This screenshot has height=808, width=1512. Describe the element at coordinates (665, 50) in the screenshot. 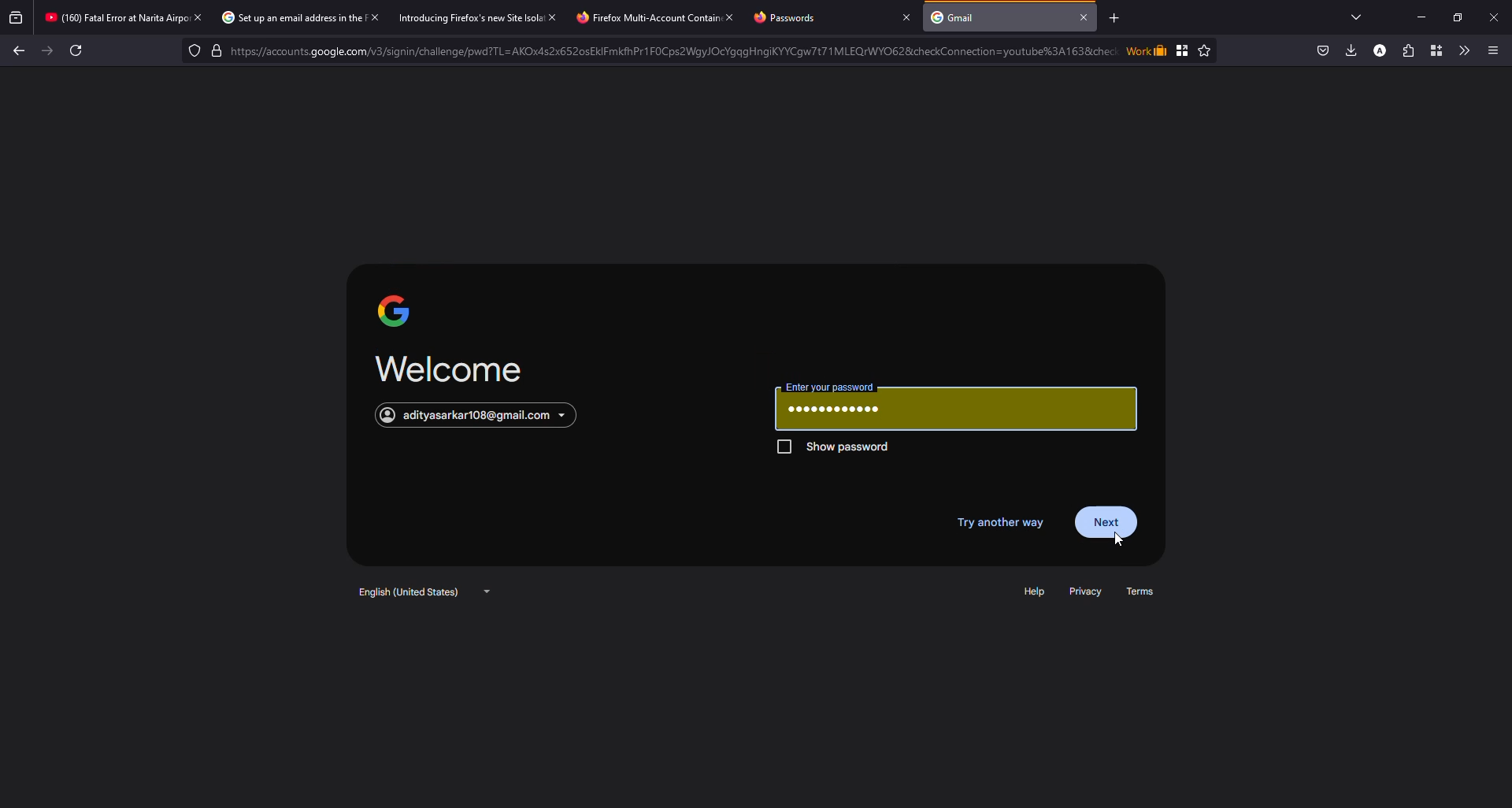

I see `———
https://accounts.google.com/v3/signin/challenge/pwd?TL=AKOx4s2x6520sEKIFmkfPr1FOCs2WaylOcYgqgHngiKYYCw7t71MLEQrWYOG28icheckConnection=youtube3%3A1 638che:` at that location.